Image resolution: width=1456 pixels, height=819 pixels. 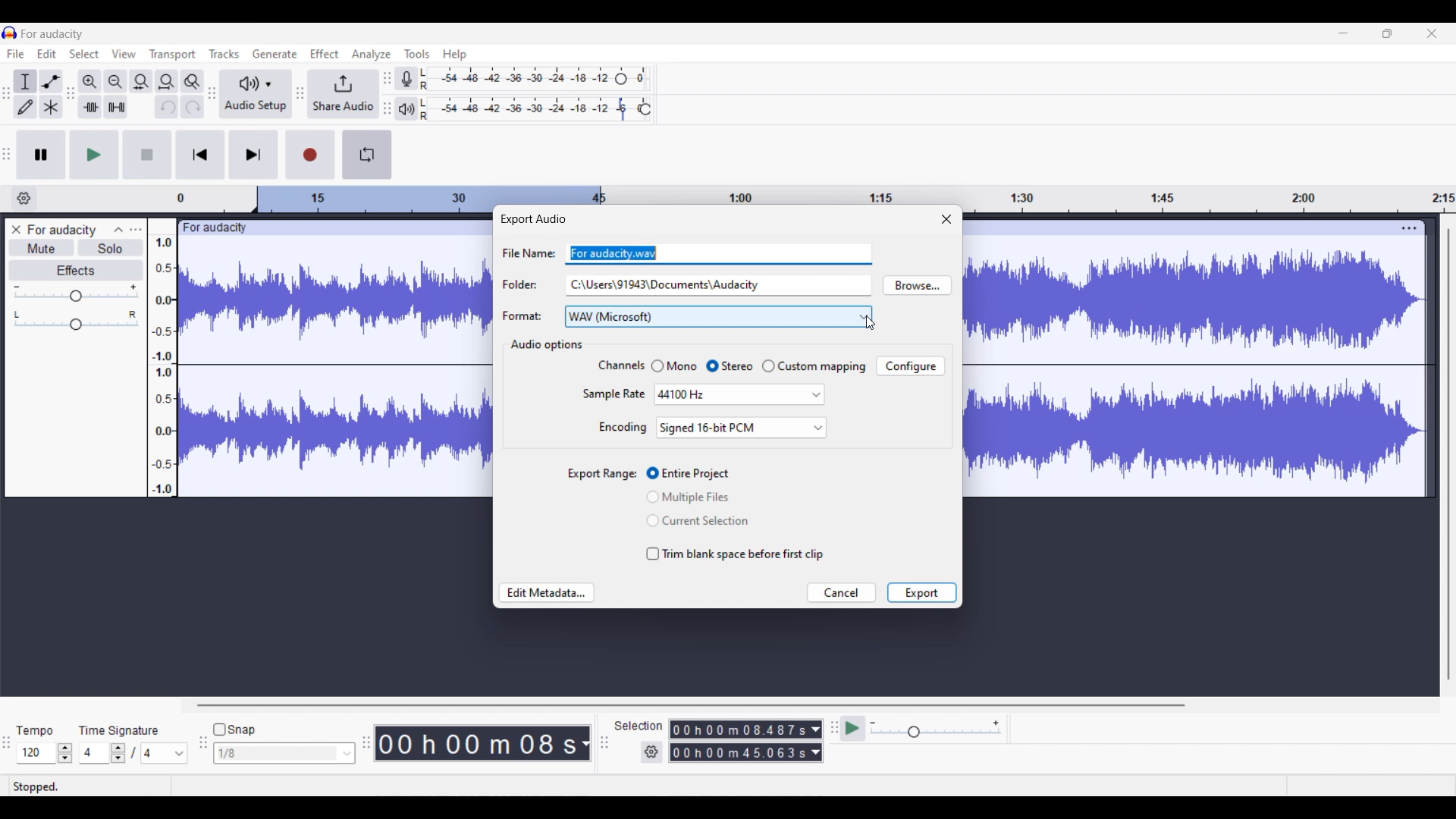 I want to click on Selection tool, so click(x=24, y=83).